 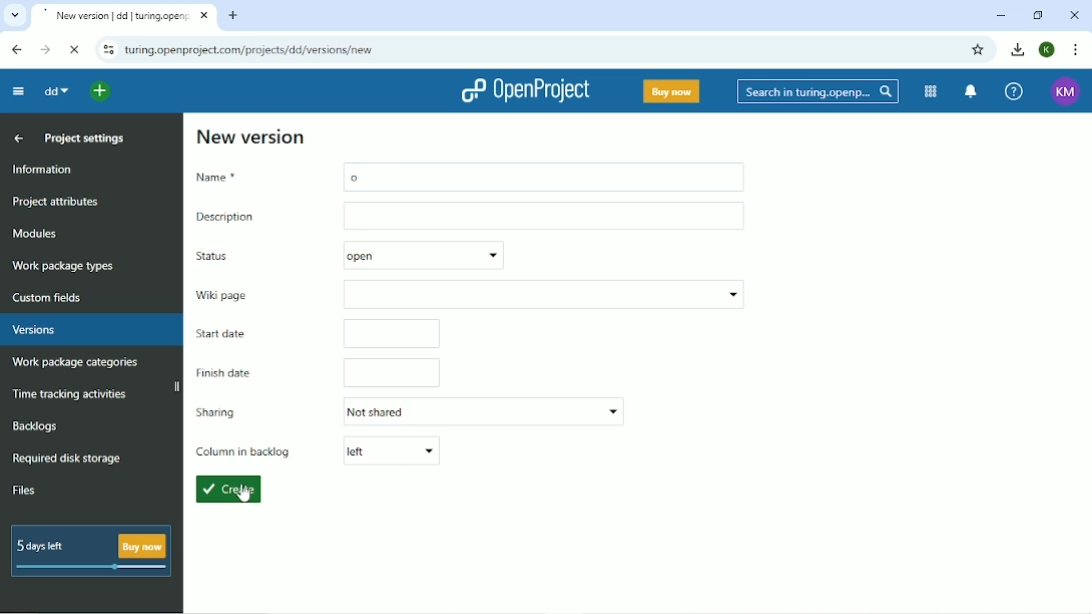 I want to click on Buy now, so click(x=673, y=91).